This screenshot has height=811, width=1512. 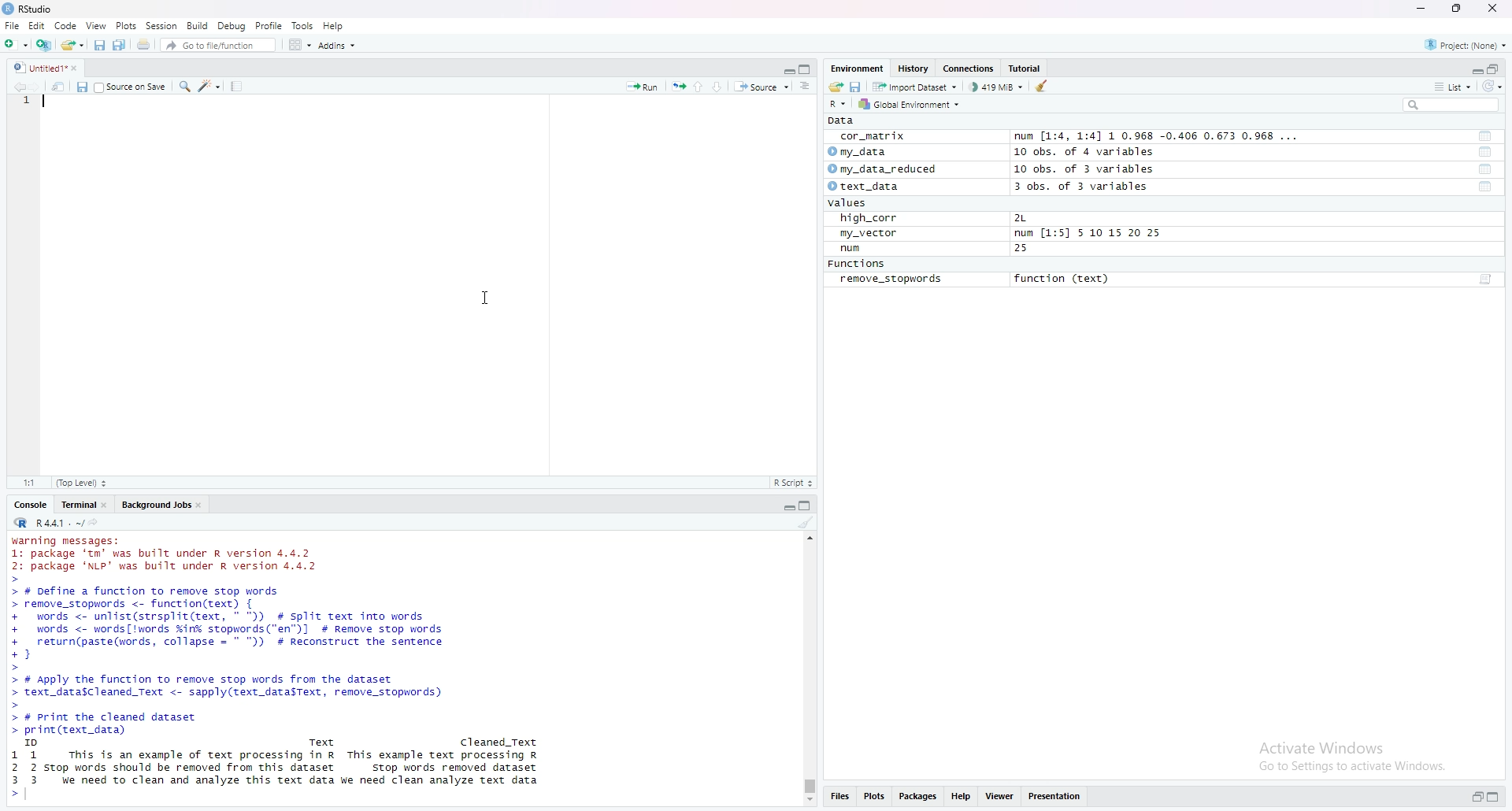 What do you see at coordinates (1000, 233) in the screenshot?
I see `my_vector num [1:5] 5 10 15 20 25` at bounding box center [1000, 233].